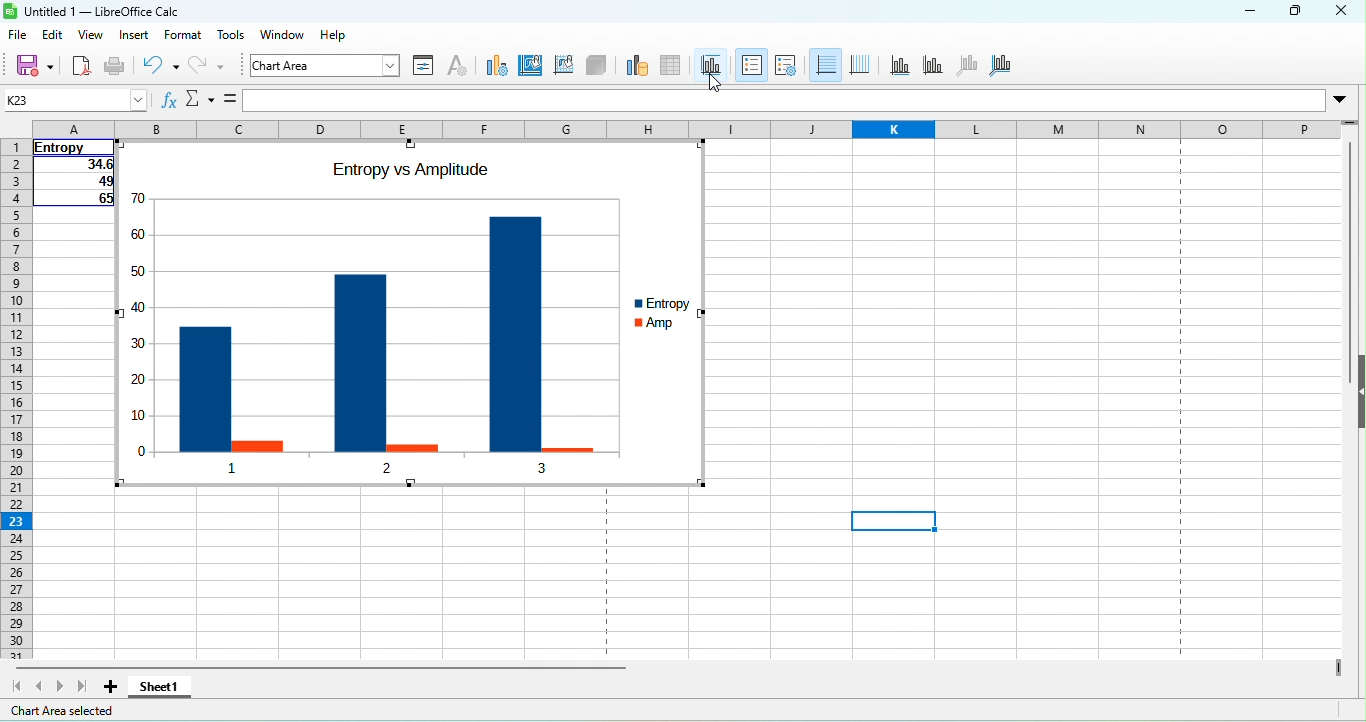 The height and width of the screenshot is (722, 1366). I want to click on print, so click(117, 65).